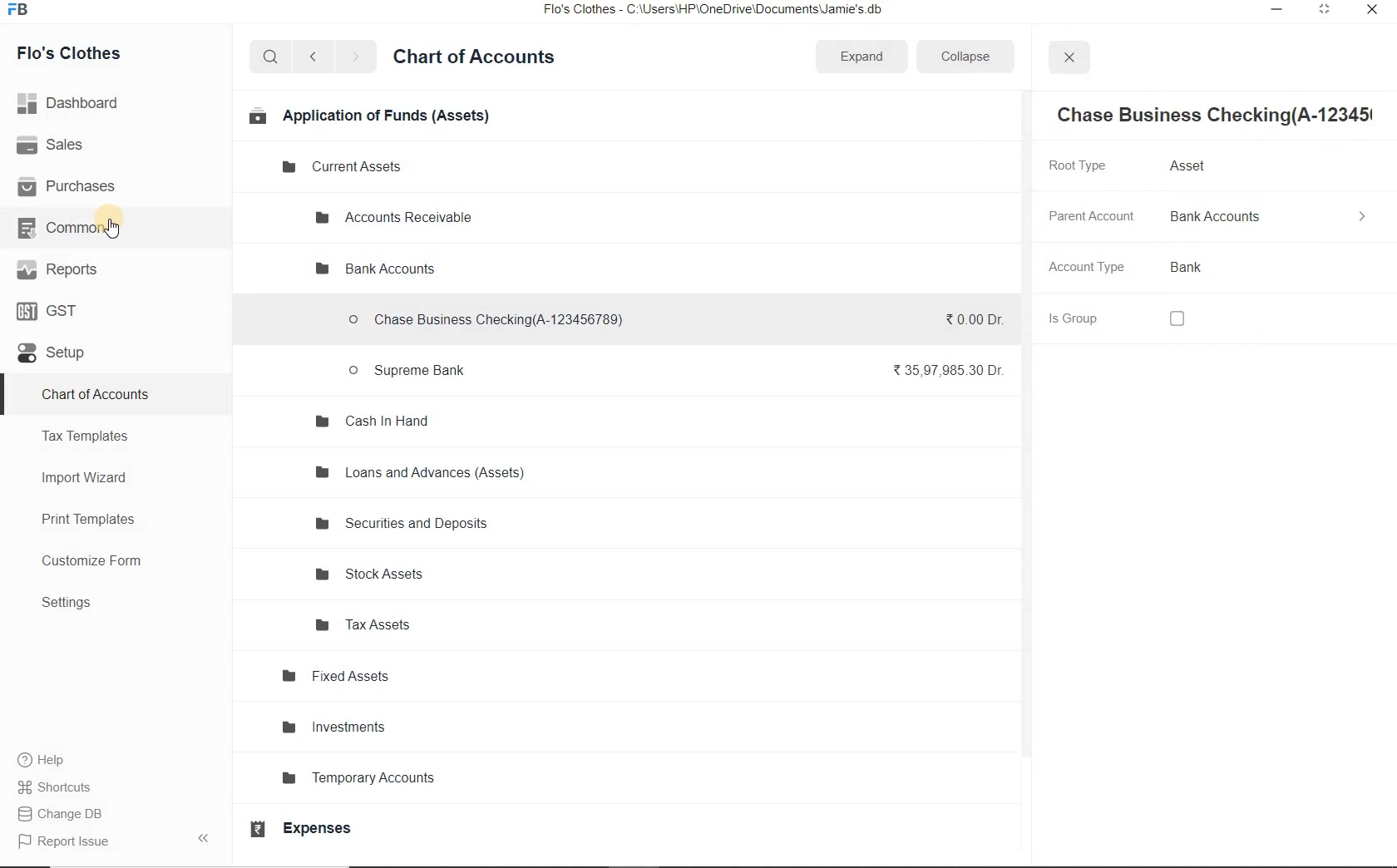 The width and height of the screenshot is (1397, 868). What do you see at coordinates (1071, 57) in the screenshot?
I see `close` at bounding box center [1071, 57].